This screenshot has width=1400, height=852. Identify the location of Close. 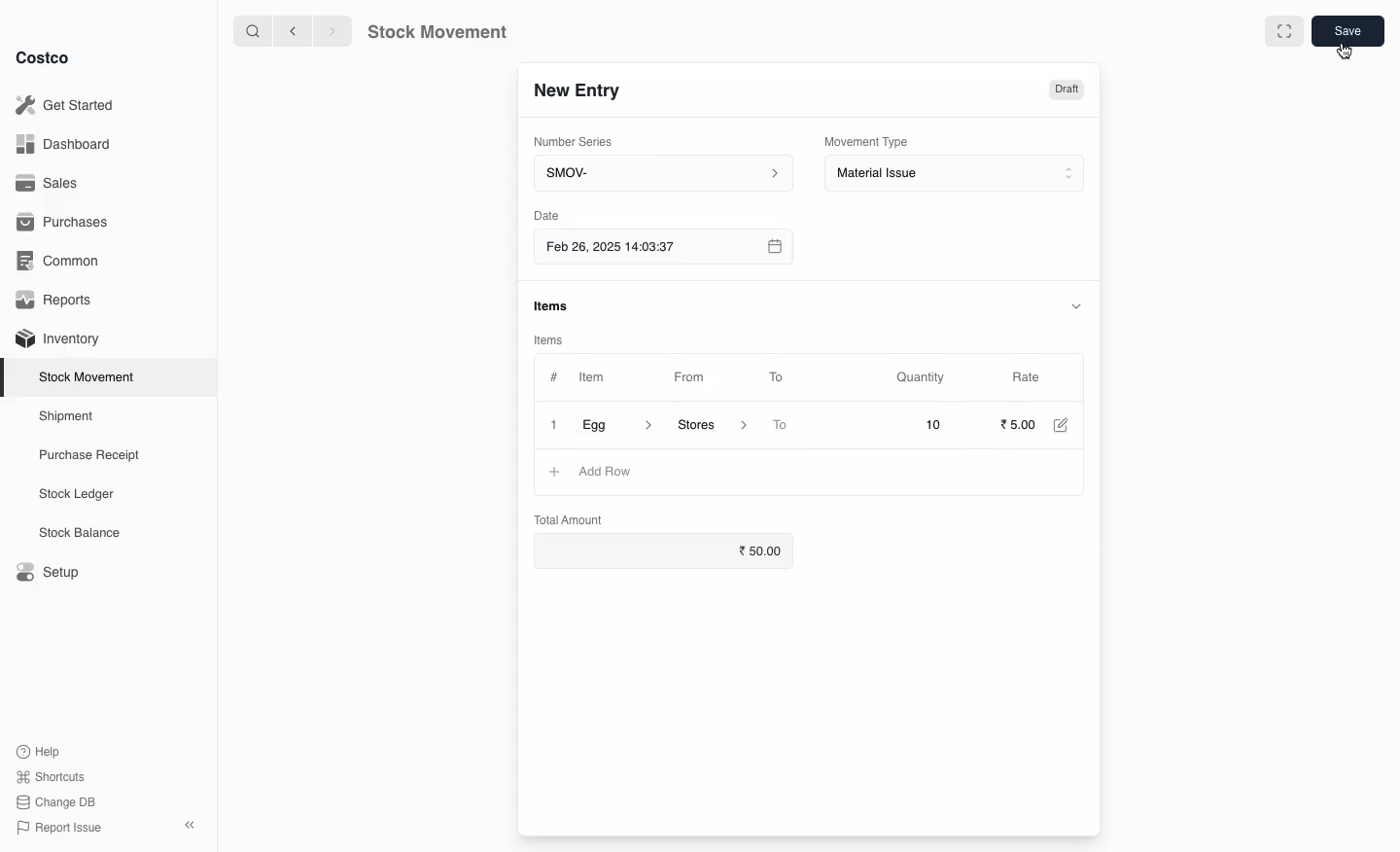
(552, 426).